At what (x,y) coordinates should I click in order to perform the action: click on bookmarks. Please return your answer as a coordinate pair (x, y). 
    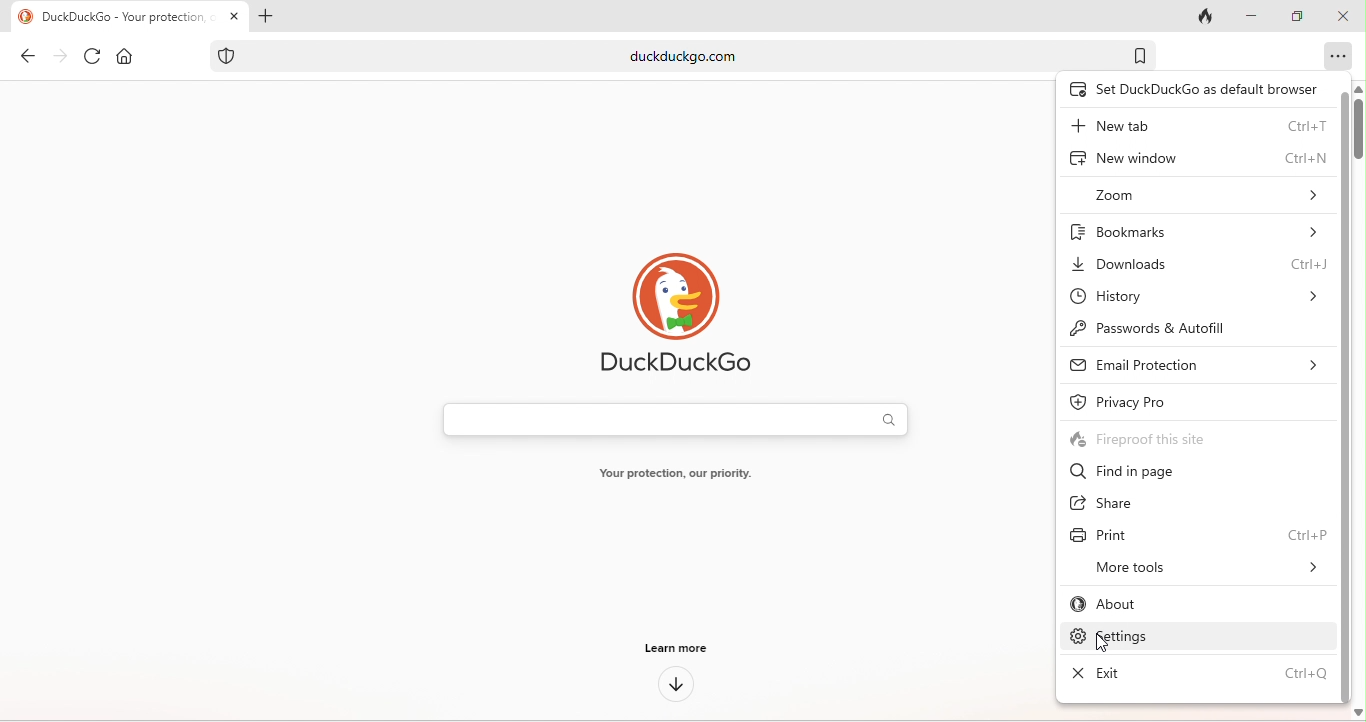
    Looking at the image, I should click on (1197, 233).